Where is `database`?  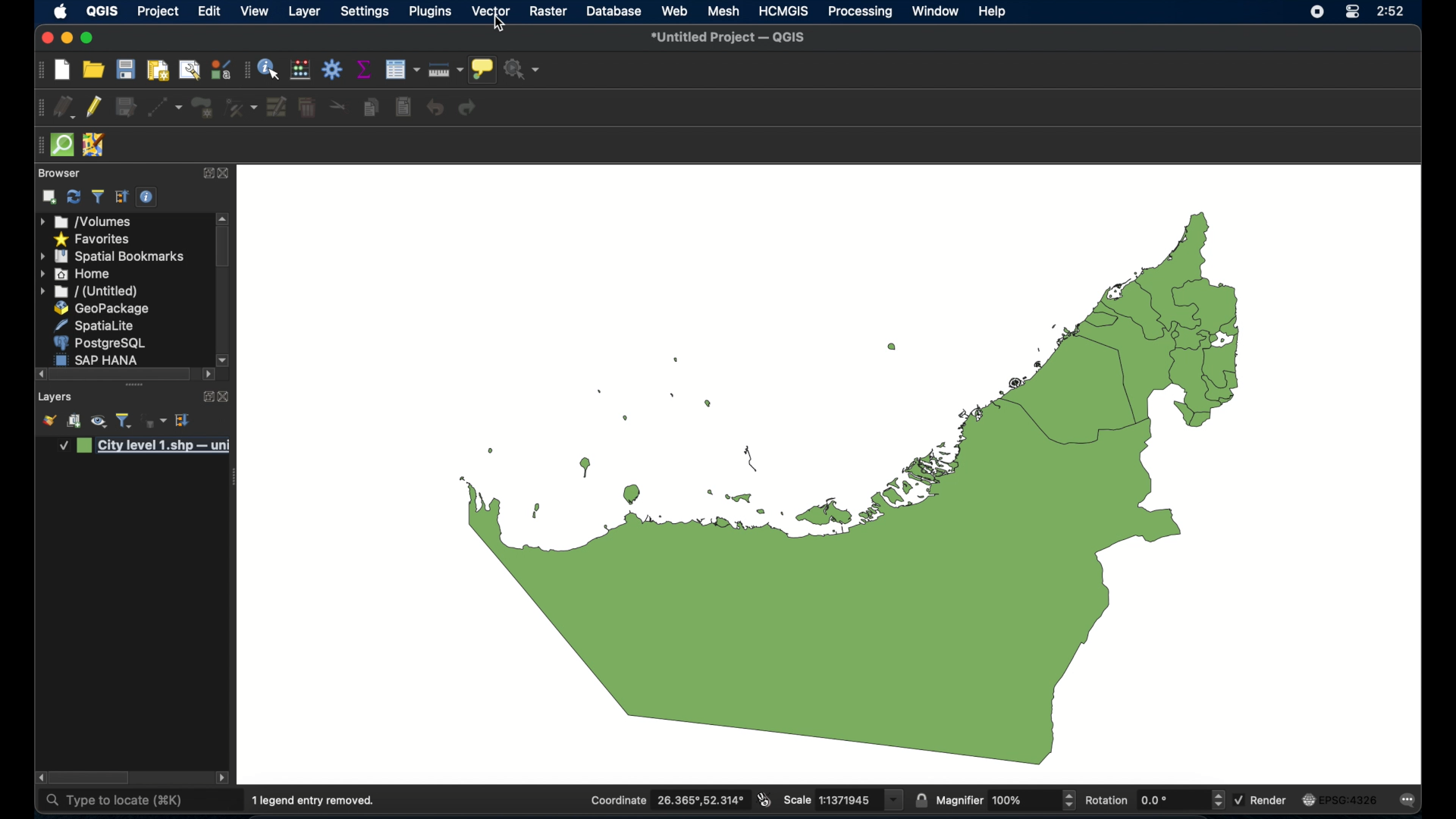 database is located at coordinates (615, 11).